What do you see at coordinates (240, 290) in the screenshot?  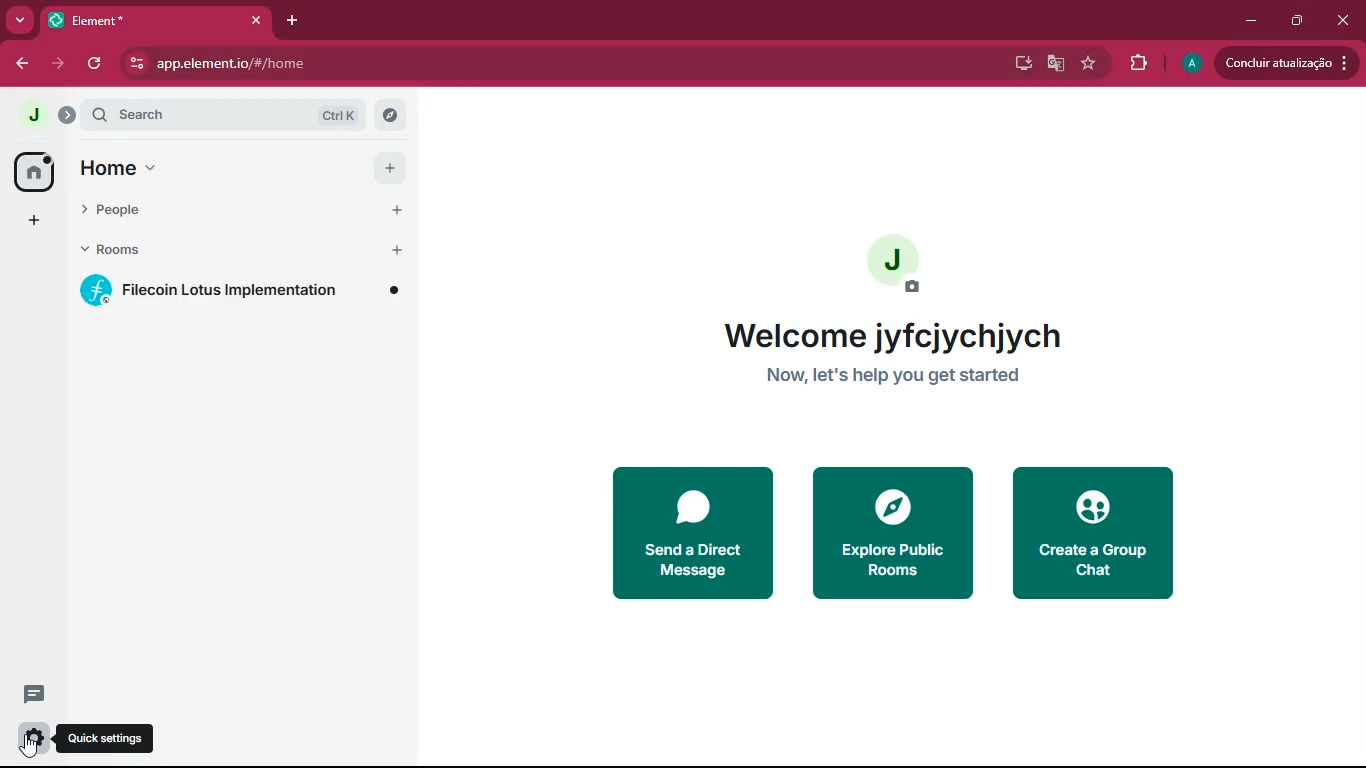 I see `filecoin lotus implementation` at bounding box center [240, 290].